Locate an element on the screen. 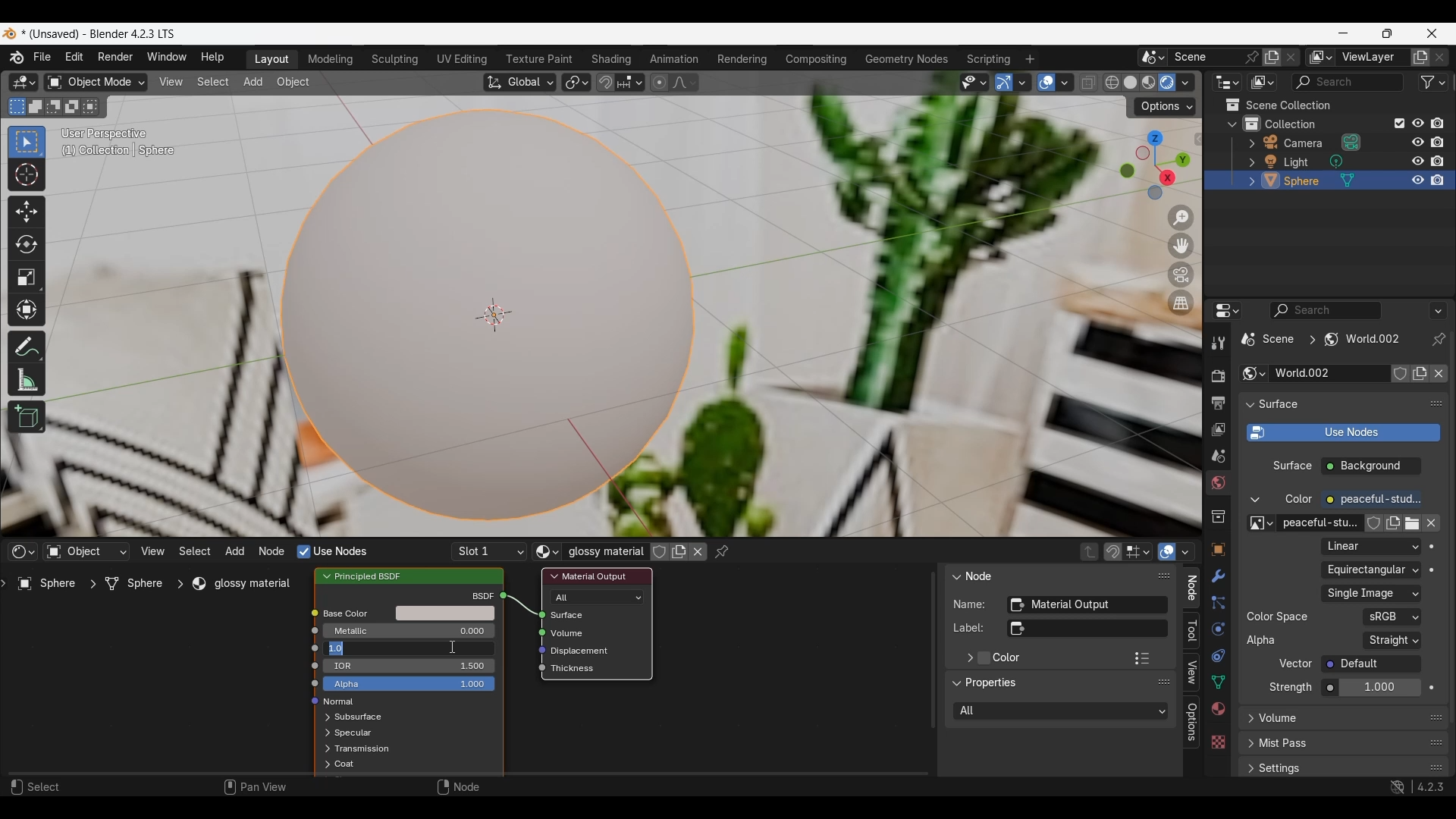 This screenshot has width=1456, height=819. Properties is located at coordinates (992, 684).